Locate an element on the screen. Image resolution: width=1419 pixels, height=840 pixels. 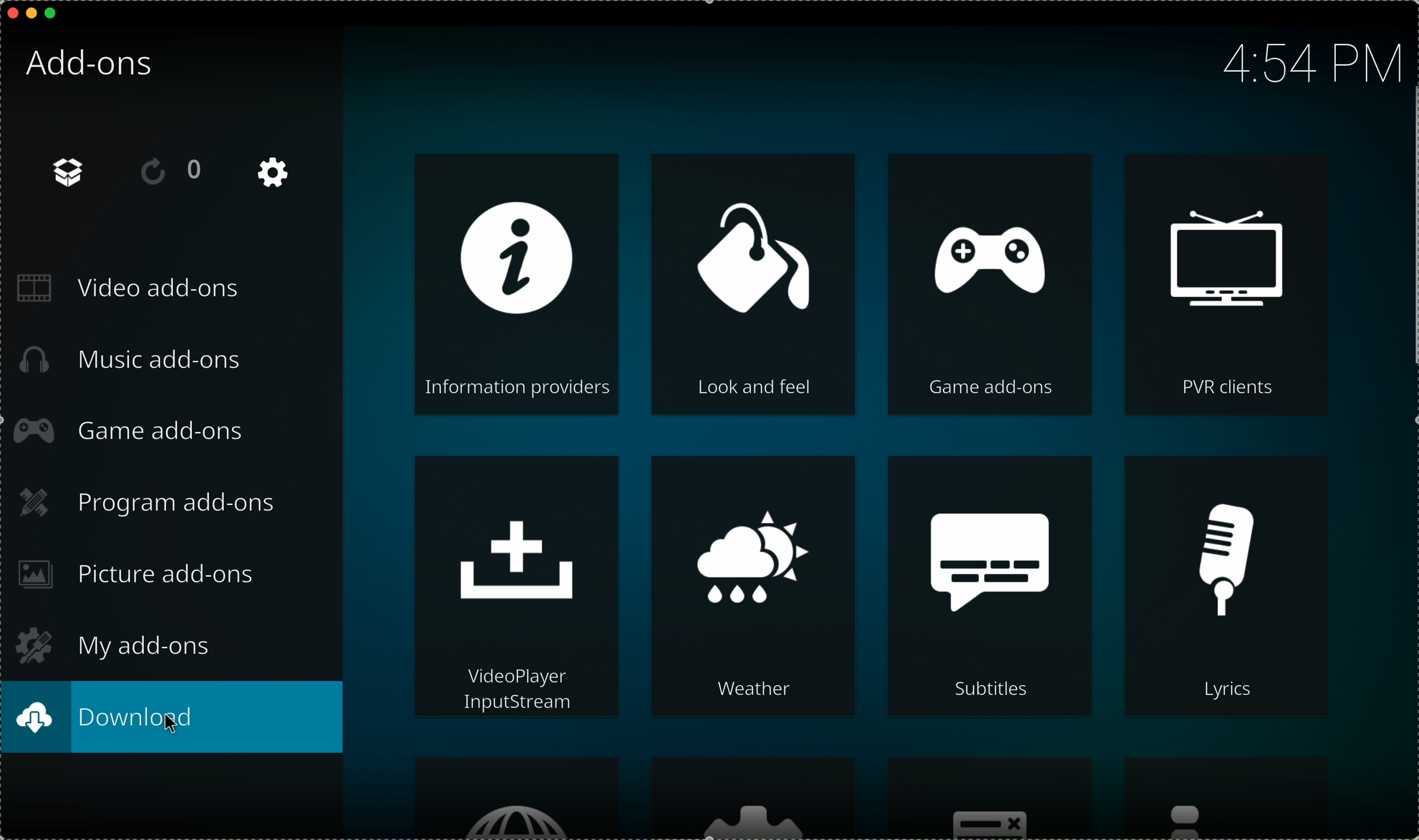
icon is located at coordinates (1237, 799).